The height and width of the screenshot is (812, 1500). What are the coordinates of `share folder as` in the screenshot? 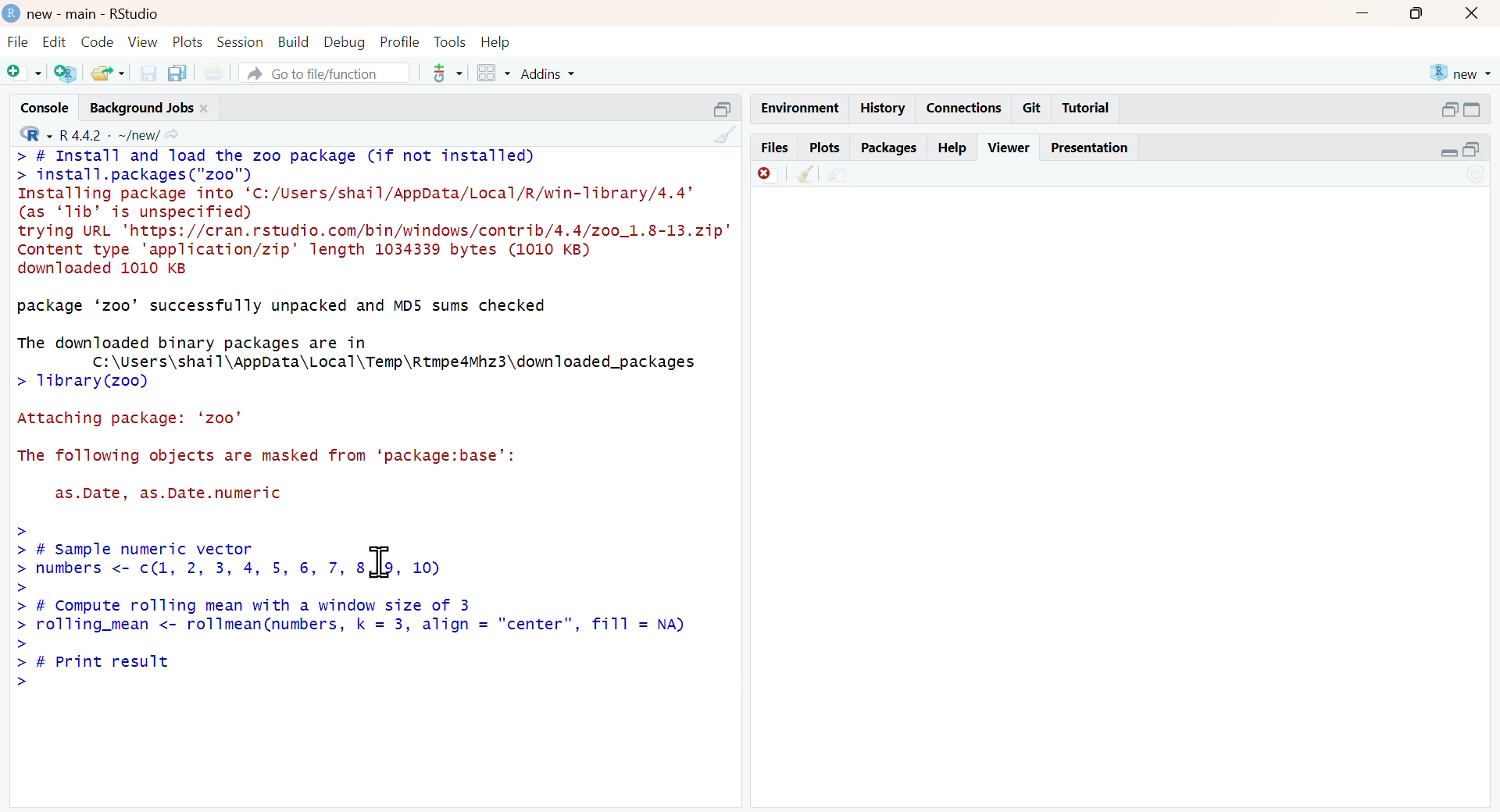 It's located at (109, 73).